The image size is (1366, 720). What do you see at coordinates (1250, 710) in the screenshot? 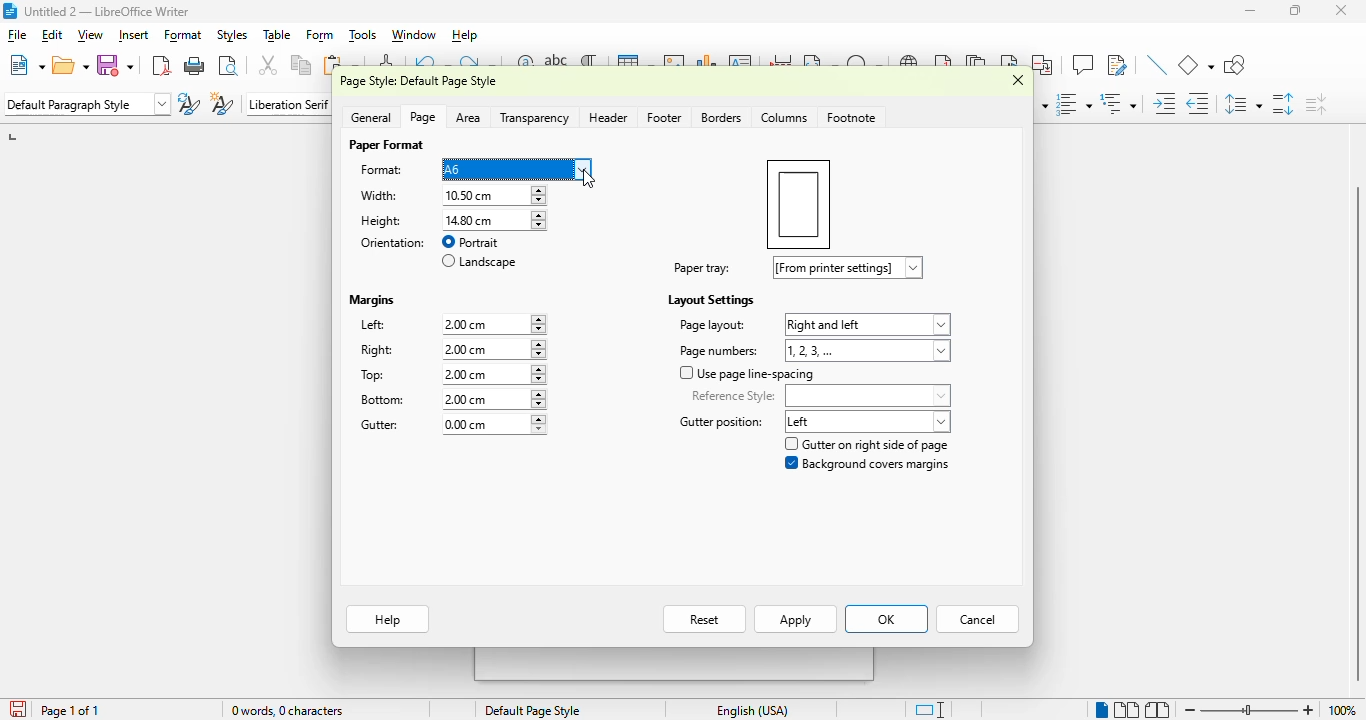
I see `zoom slider` at bounding box center [1250, 710].